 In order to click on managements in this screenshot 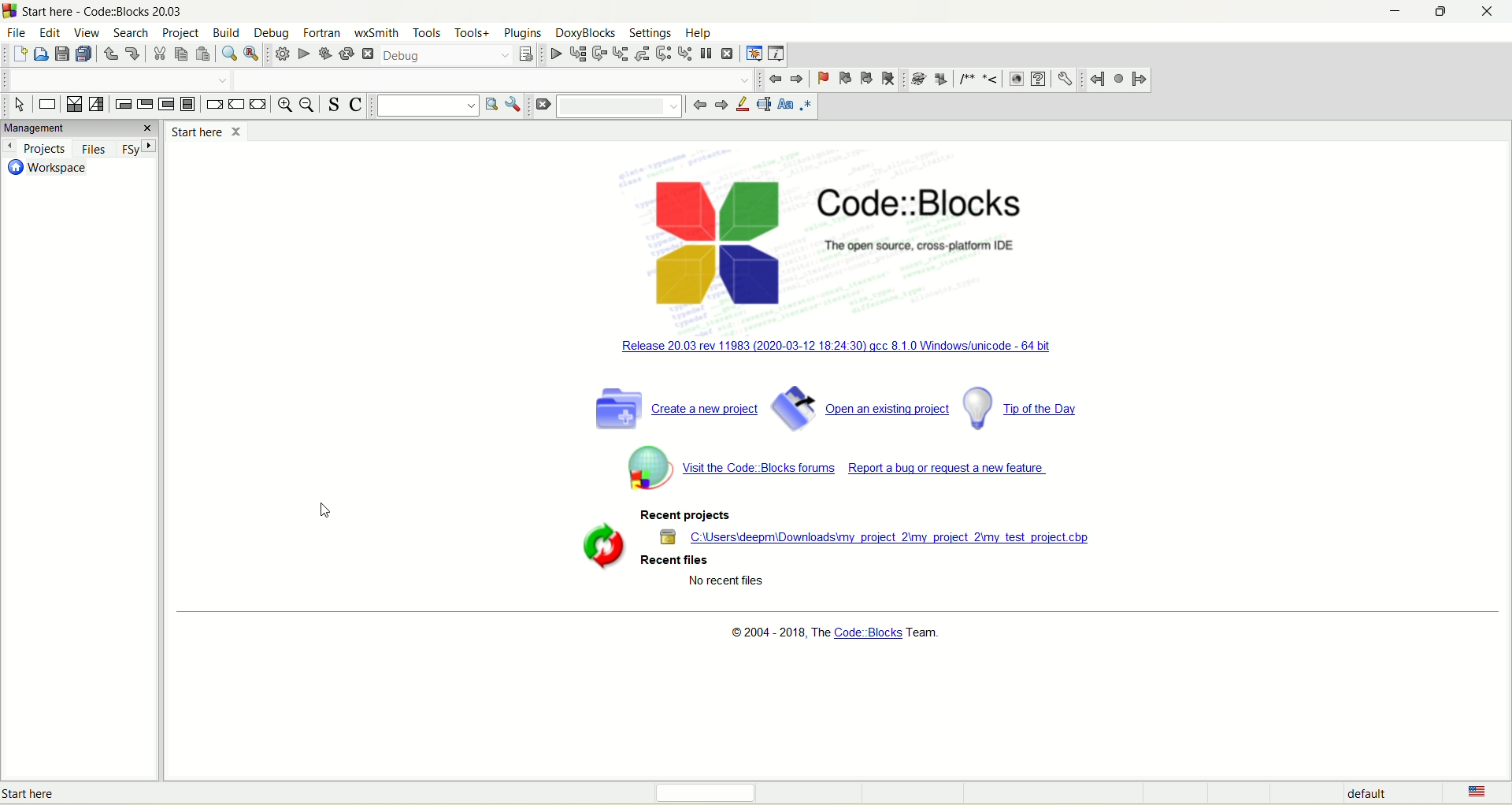, I will do `click(80, 128)`.